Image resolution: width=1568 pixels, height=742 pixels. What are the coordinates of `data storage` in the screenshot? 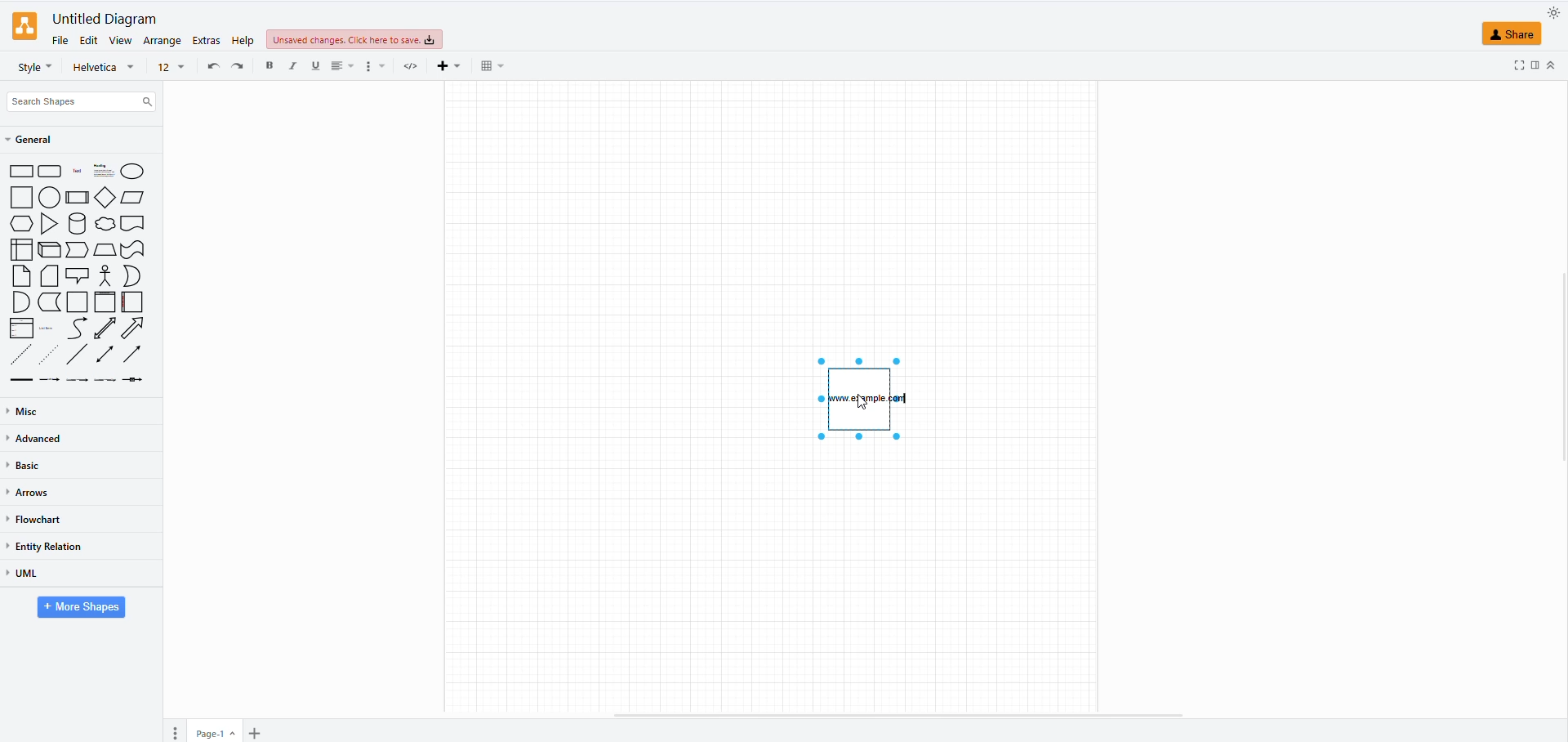 It's located at (51, 302).